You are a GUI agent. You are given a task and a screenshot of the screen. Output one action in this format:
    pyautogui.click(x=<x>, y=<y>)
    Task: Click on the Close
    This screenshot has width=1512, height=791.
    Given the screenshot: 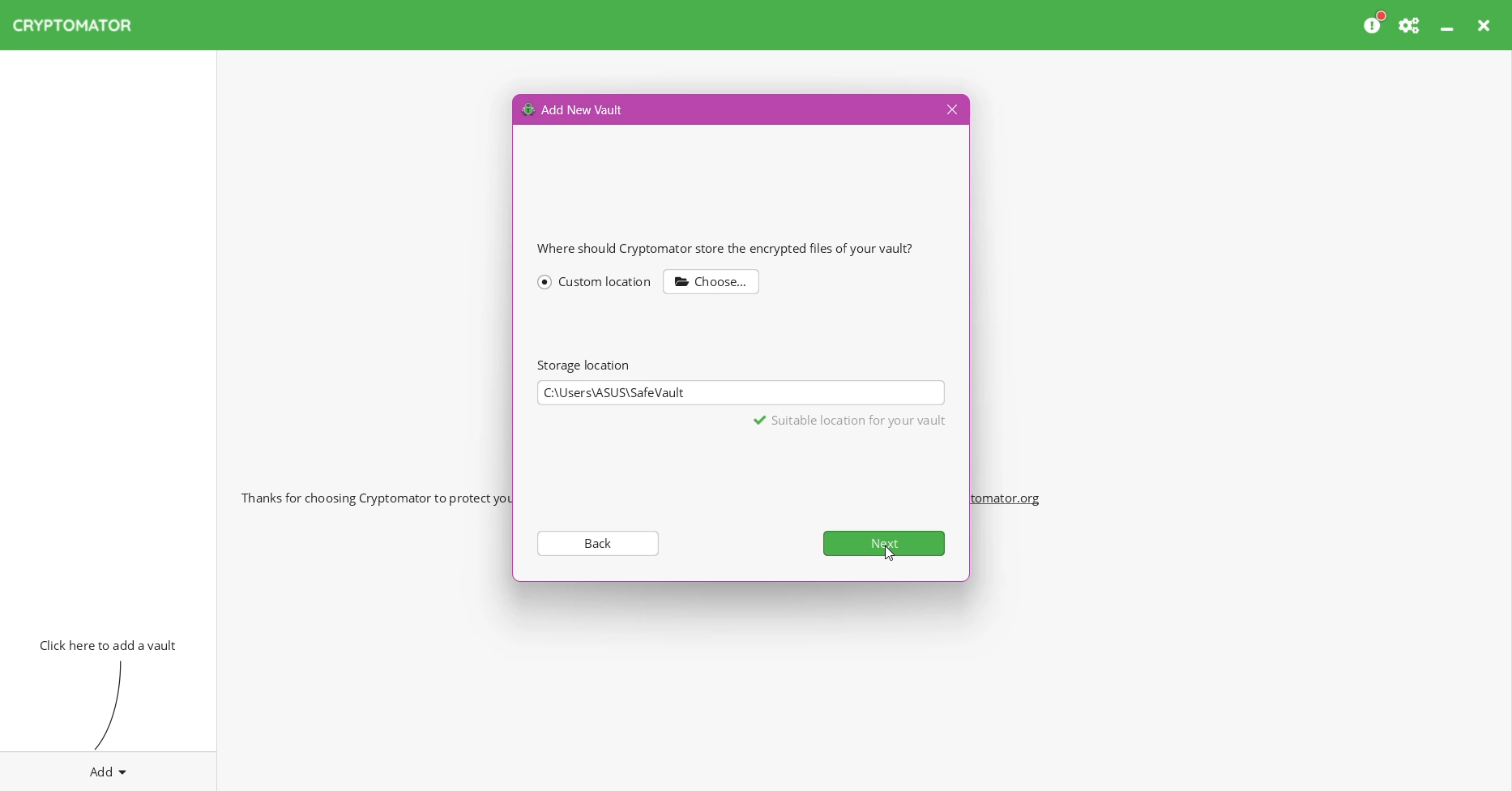 What is the action you would take?
    pyautogui.click(x=1486, y=25)
    